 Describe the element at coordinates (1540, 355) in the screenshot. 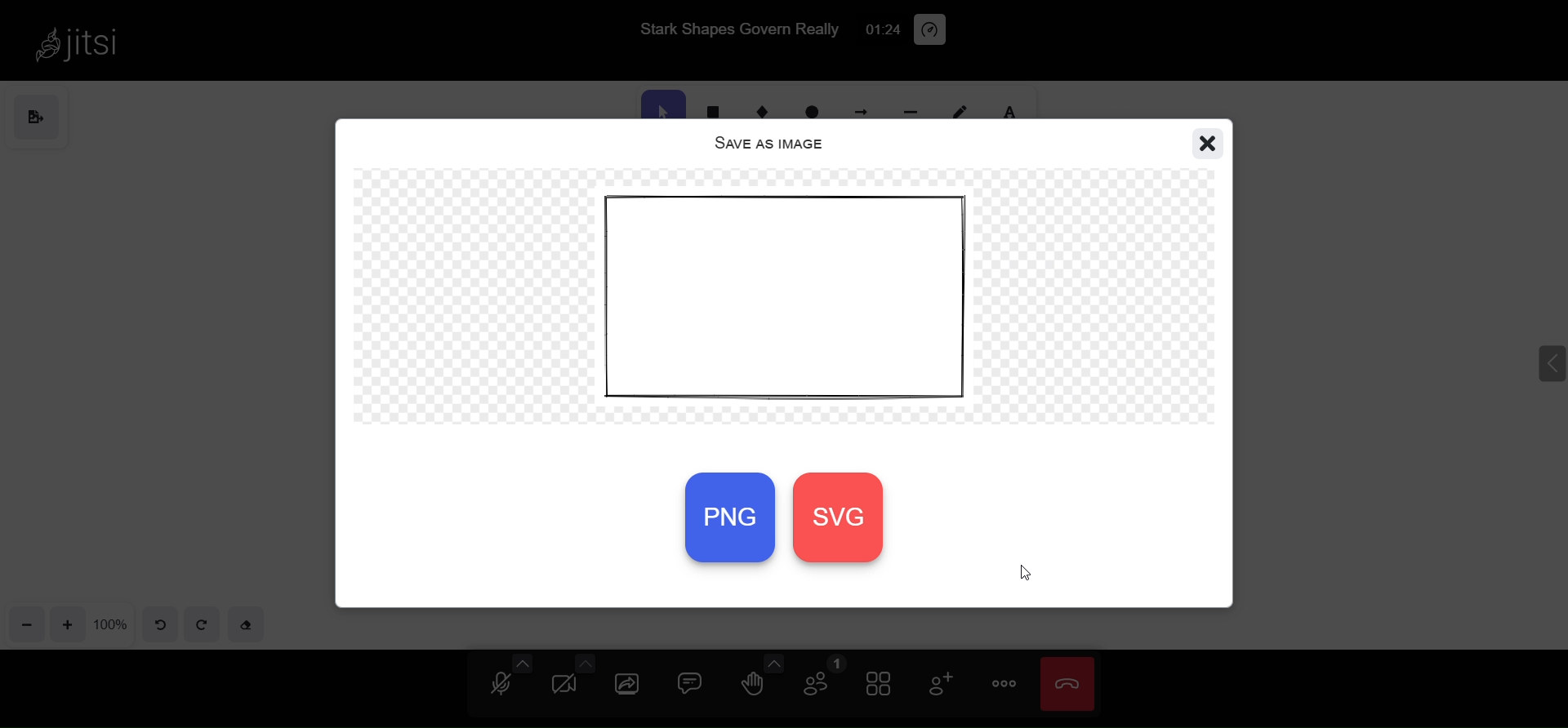

I see `expand` at that location.